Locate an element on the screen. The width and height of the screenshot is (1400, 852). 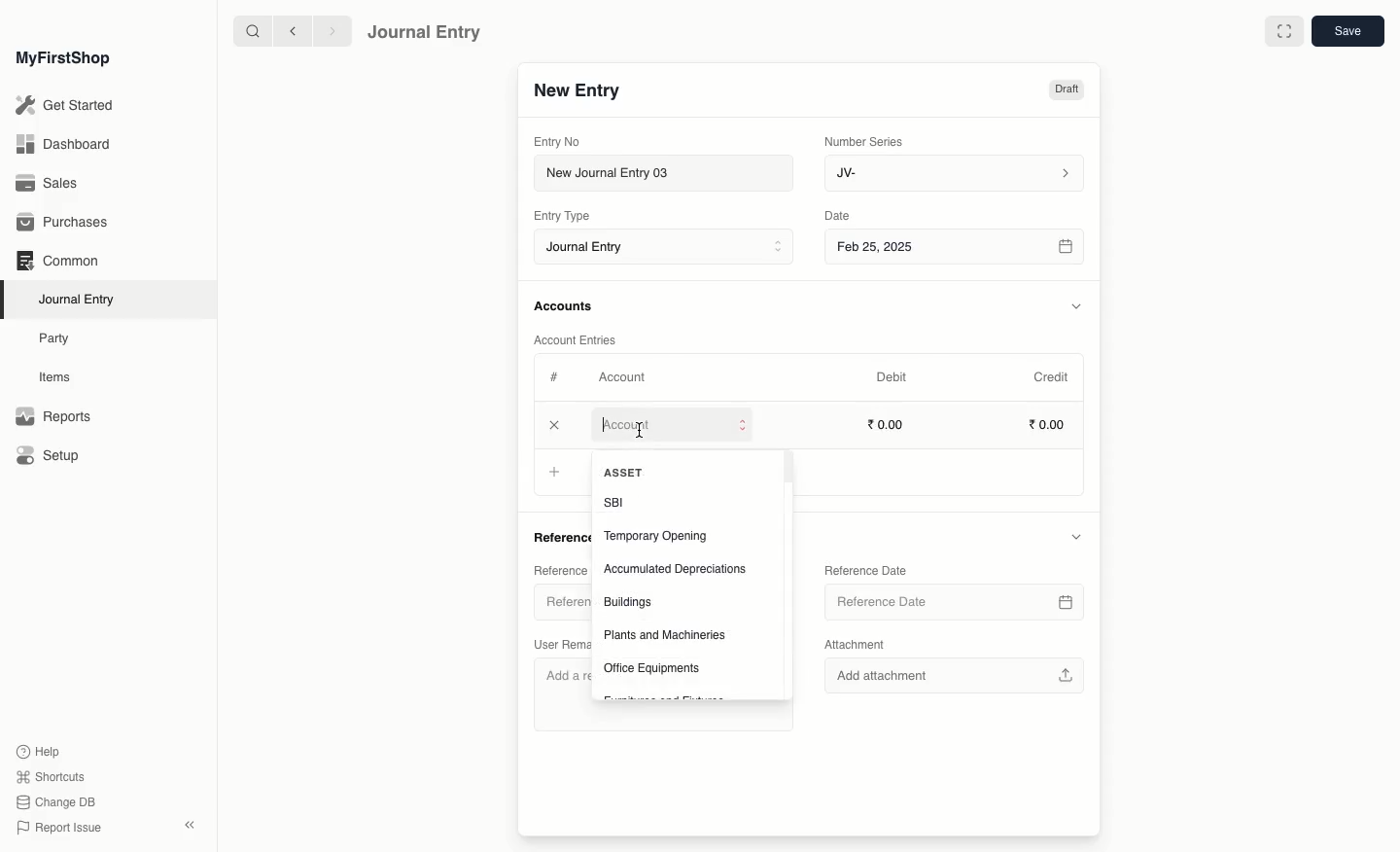
Entry No is located at coordinates (558, 141).